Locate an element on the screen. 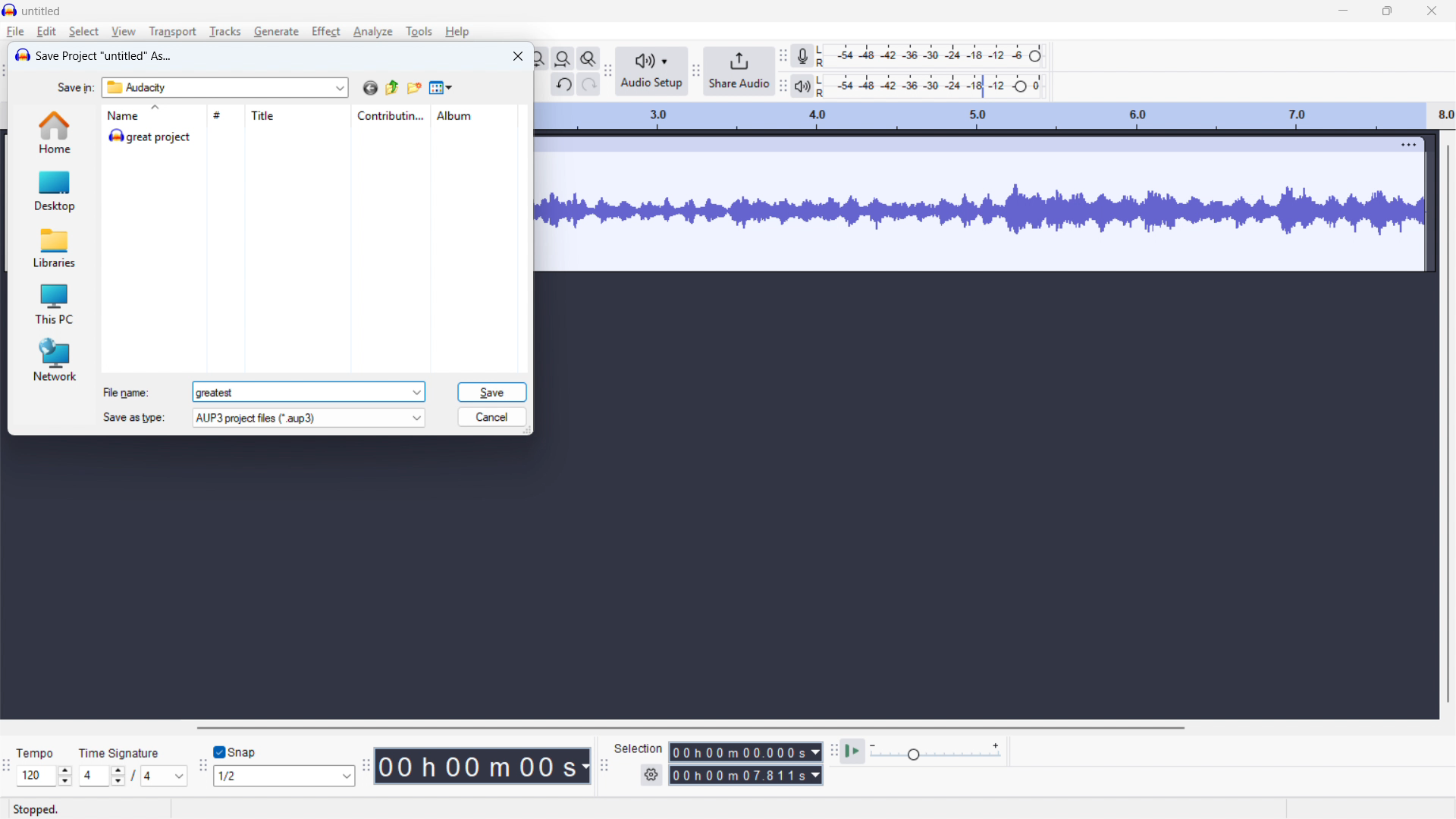 The height and width of the screenshot is (819, 1456). save as type is located at coordinates (308, 417).